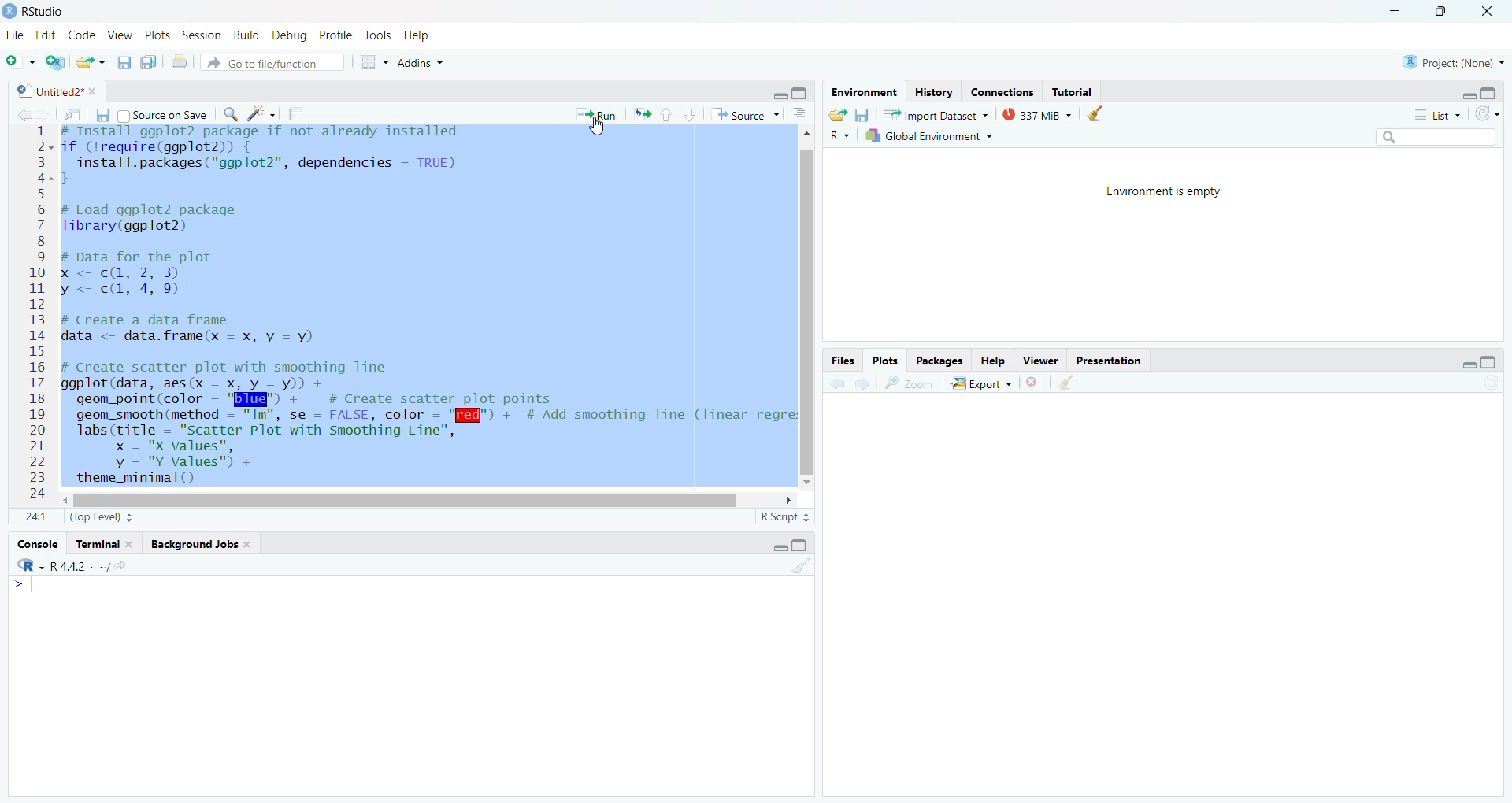 This screenshot has width=1512, height=803. What do you see at coordinates (58, 61) in the screenshot?
I see `create new project` at bounding box center [58, 61].